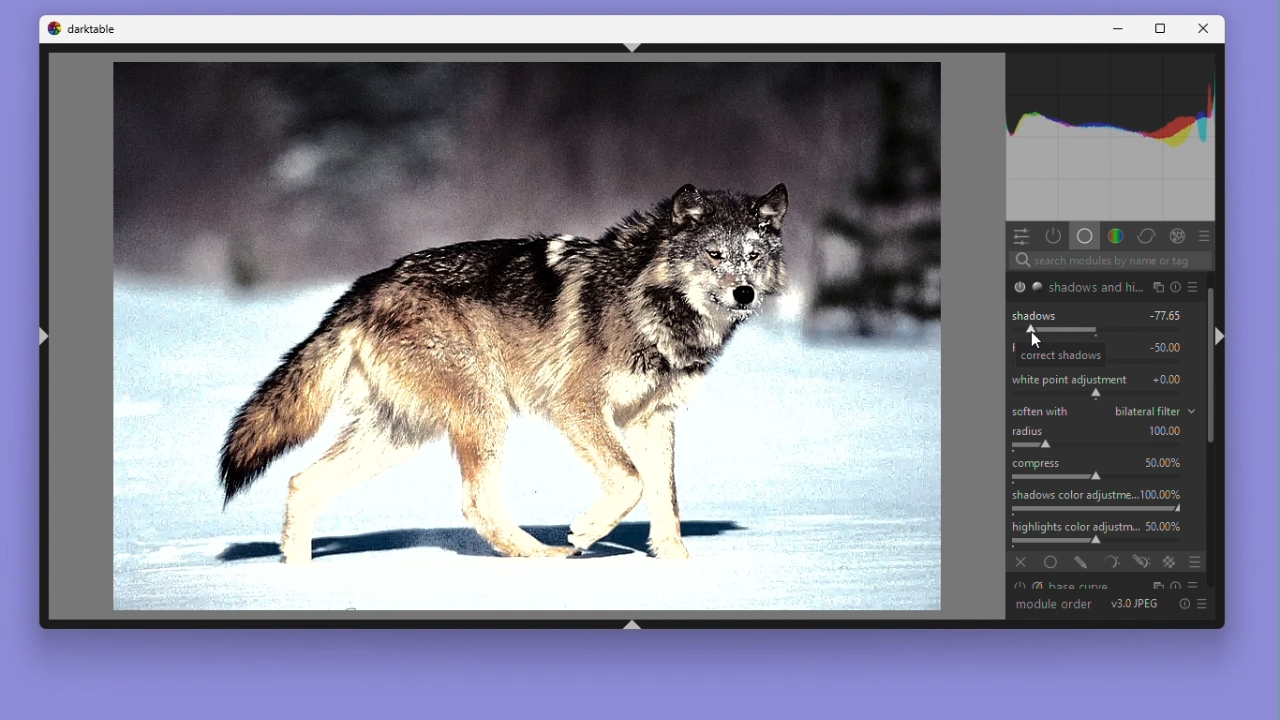 The width and height of the screenshot is (1280, 720). What do you see at coordinates (1177, 585) in the screenshot?
I see `reset parameters` at bounding box center [1177, 585].